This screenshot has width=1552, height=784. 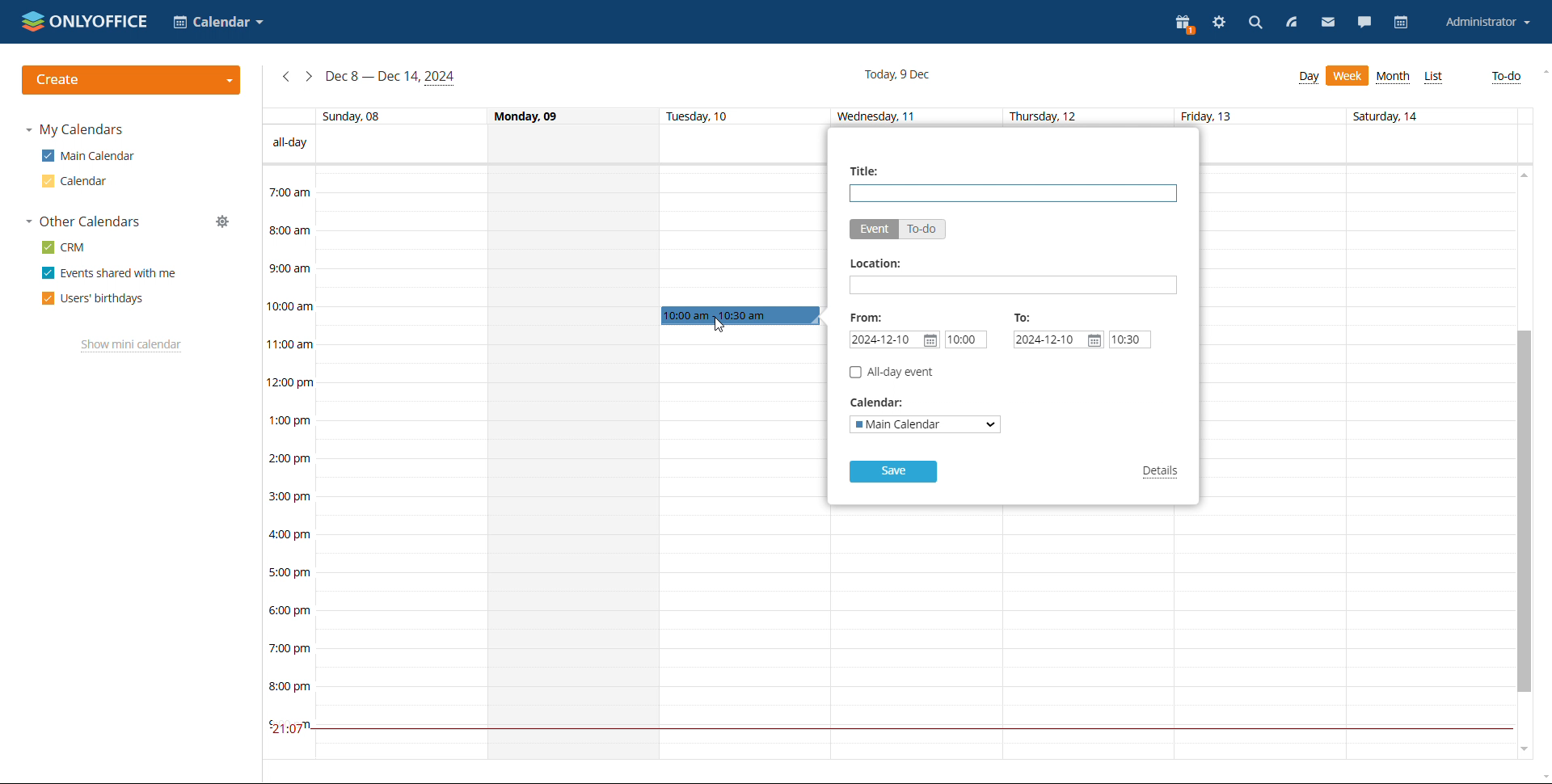 I want to click on my calendars, so click(x=74, y=130).